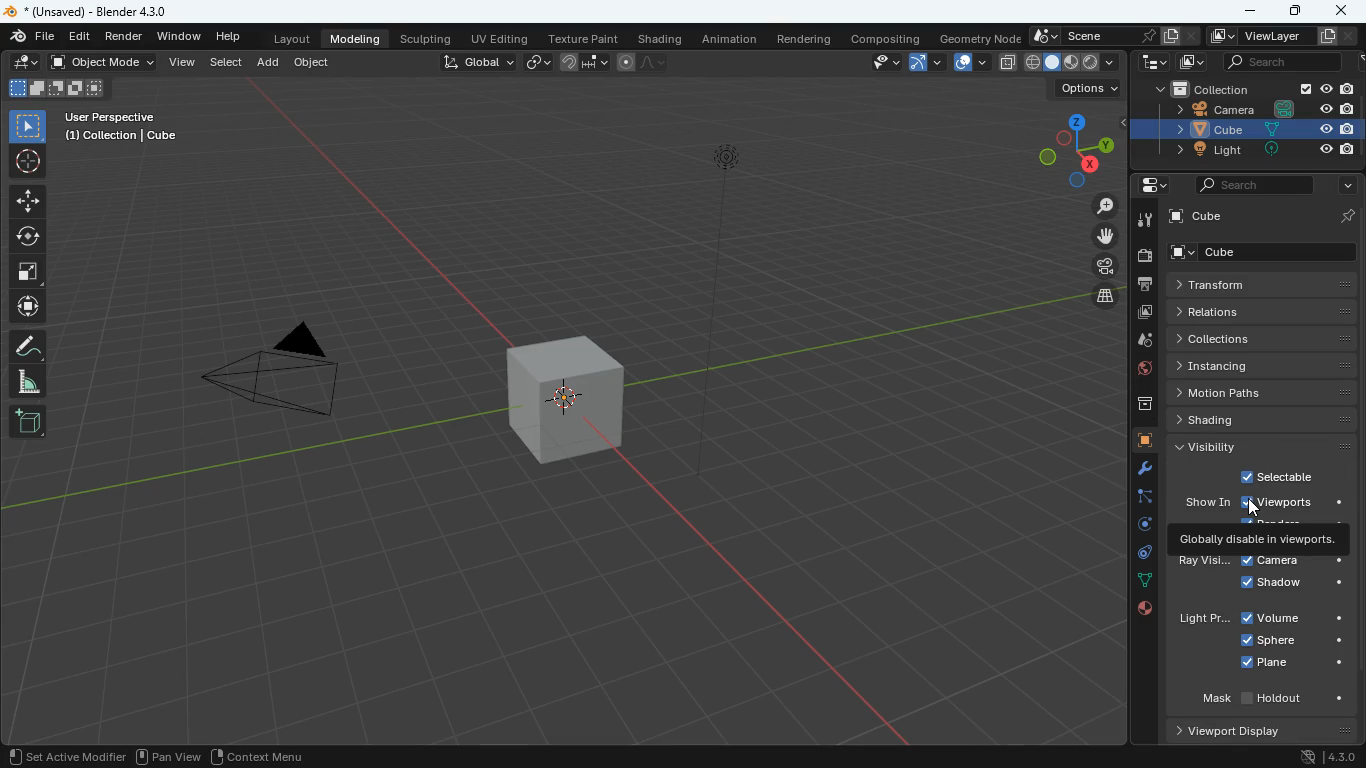 The image size is (1366, 768). What do you see at coordinates (1343, 12) in the screenshot?
I see `close` at bounding box center [1343, 12].